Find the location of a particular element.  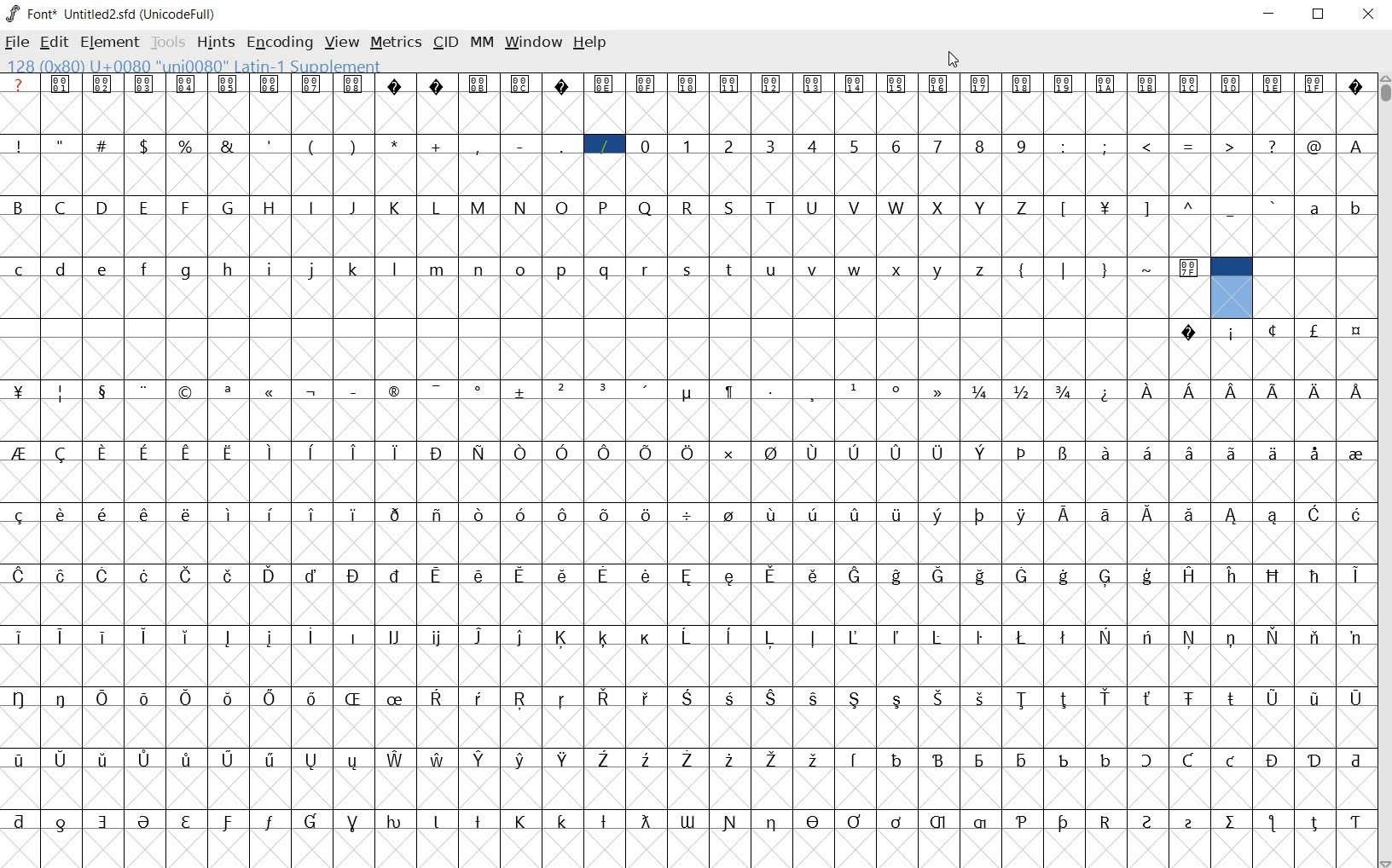

Symbol is located at coordinates (441, 697).